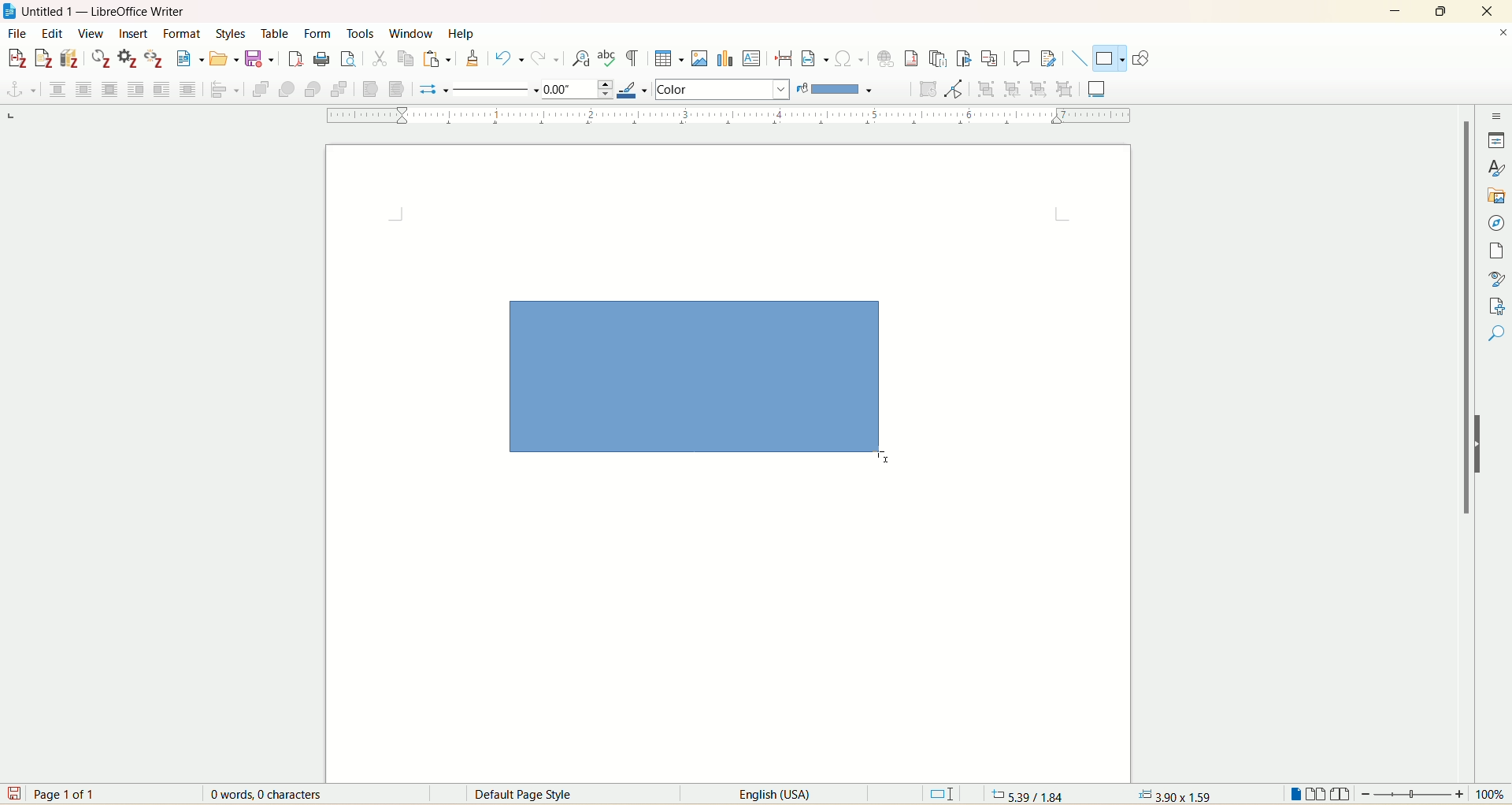 Image resolution: width=1512 pixels, height=805 pixels. Describe the element at coordinates (722, 89) in the screenshot. I see `area style` at that location.